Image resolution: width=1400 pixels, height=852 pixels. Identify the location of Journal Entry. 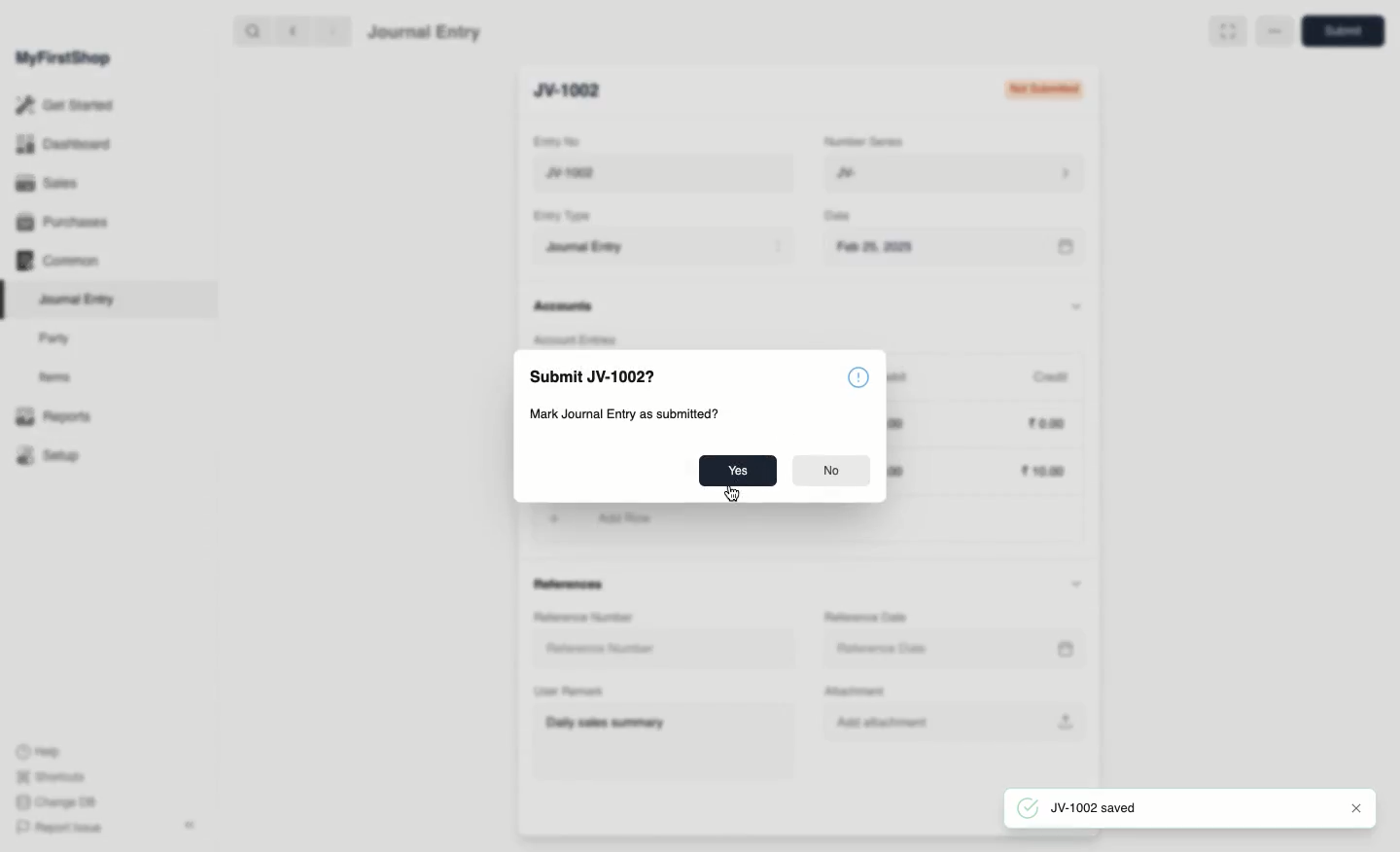
(82, 299).